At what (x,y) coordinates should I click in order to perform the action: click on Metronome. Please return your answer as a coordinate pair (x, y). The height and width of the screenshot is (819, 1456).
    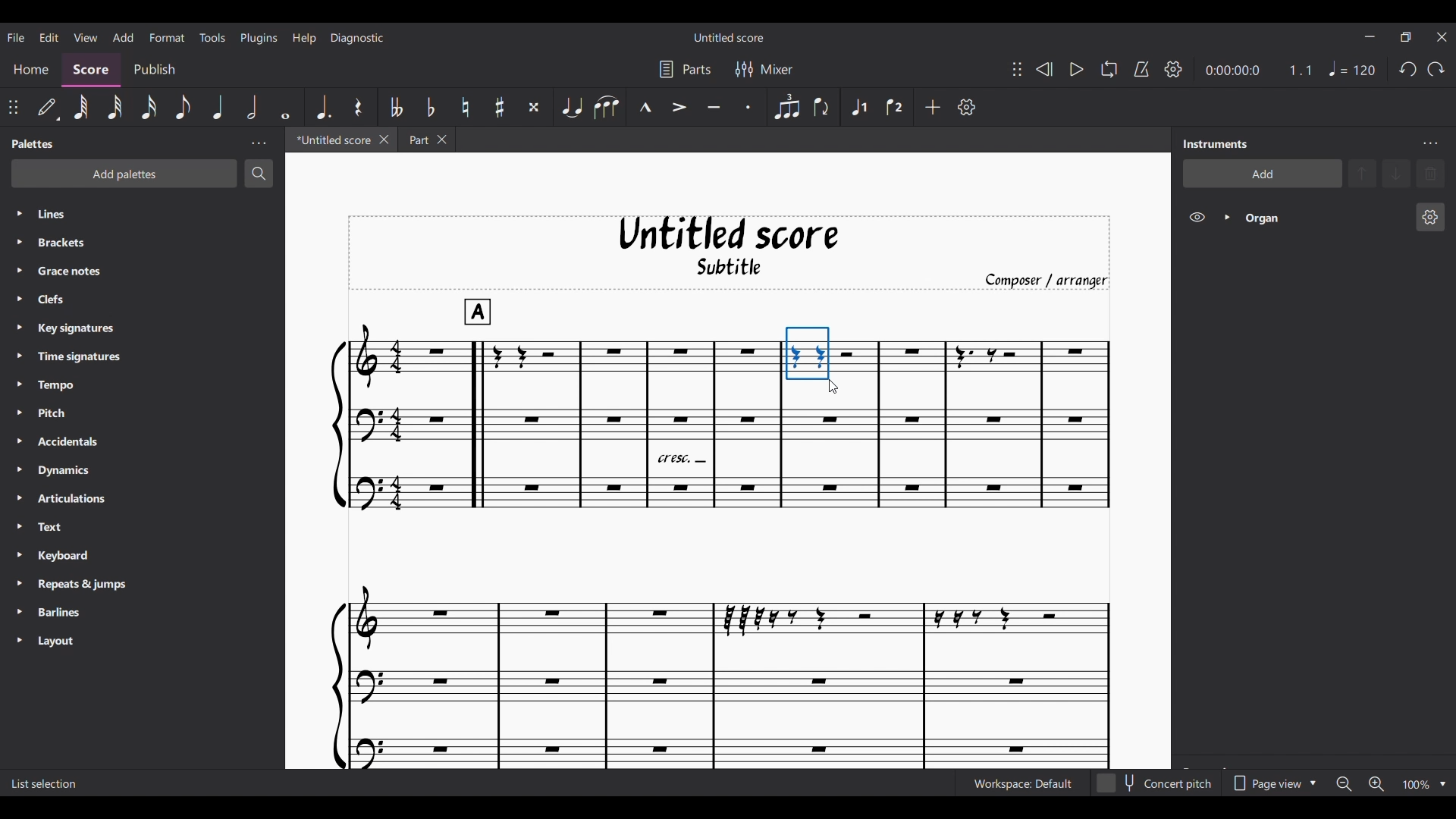
    Looking at the image, I should click on (1142, 70).